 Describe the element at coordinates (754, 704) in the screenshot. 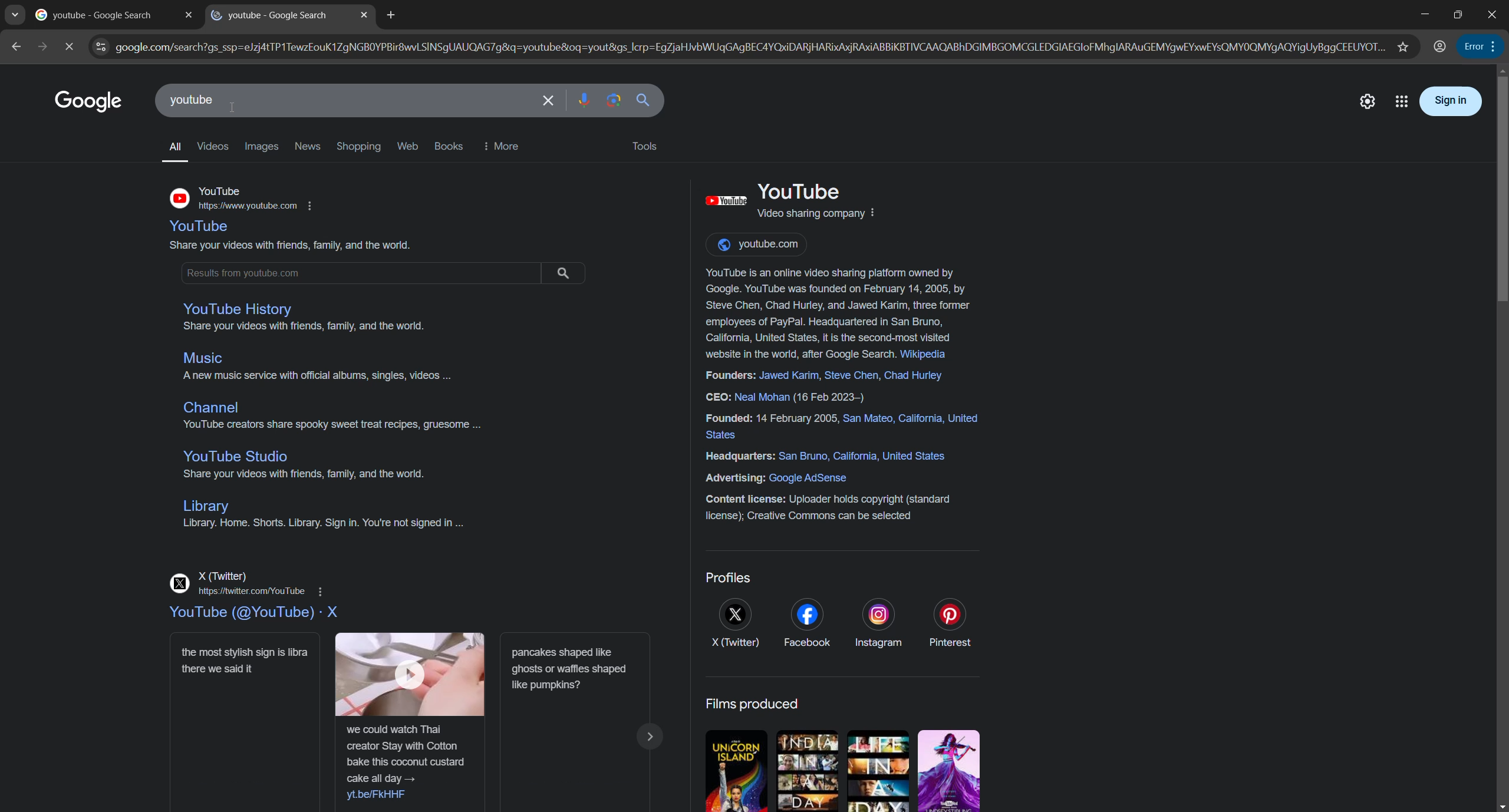

I see `films produced` at that location.